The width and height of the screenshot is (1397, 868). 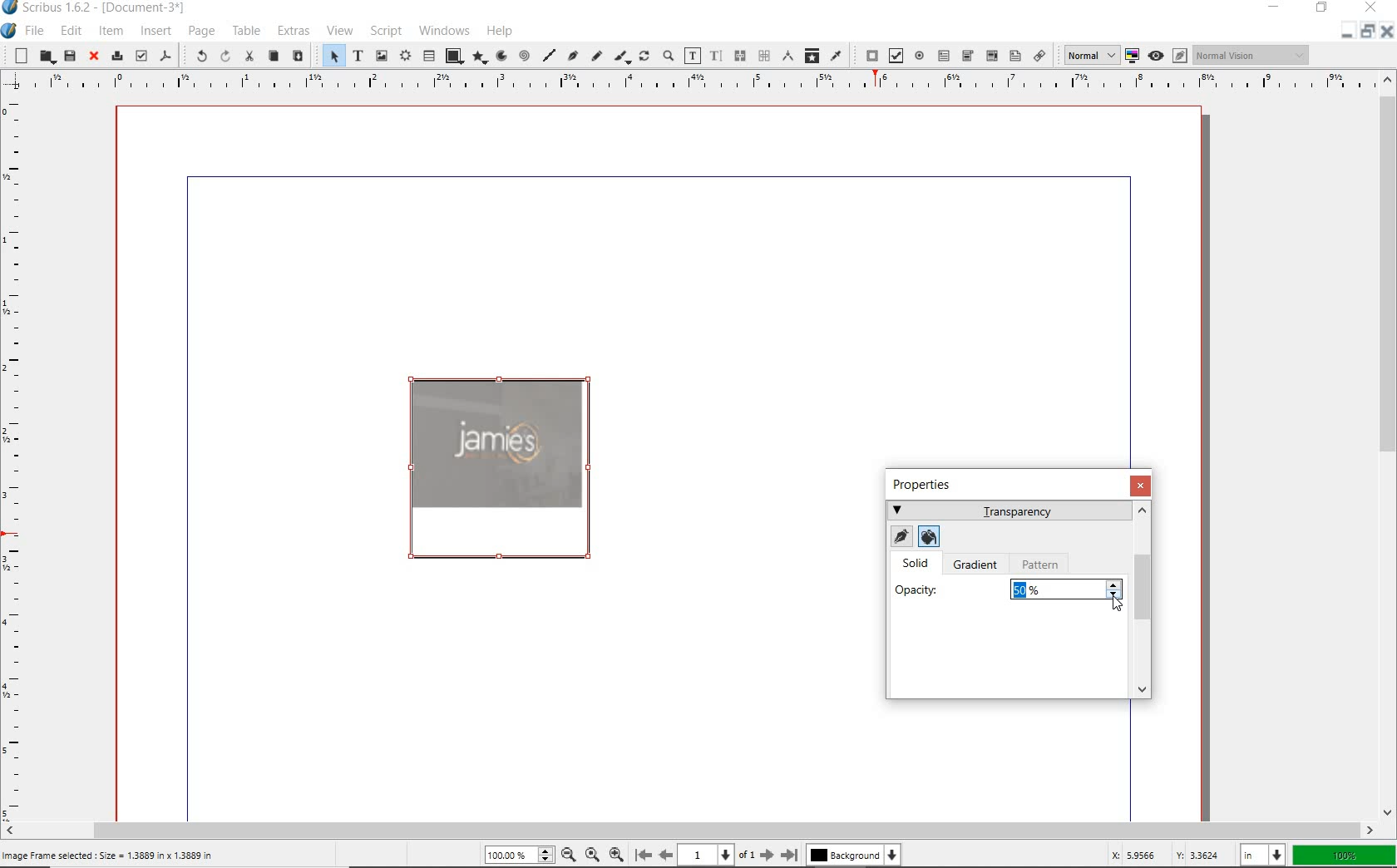 What do you see at coordinates (1168, 55) in the screenshot?
I see `preview mode` at bounding box center [1168, 55].